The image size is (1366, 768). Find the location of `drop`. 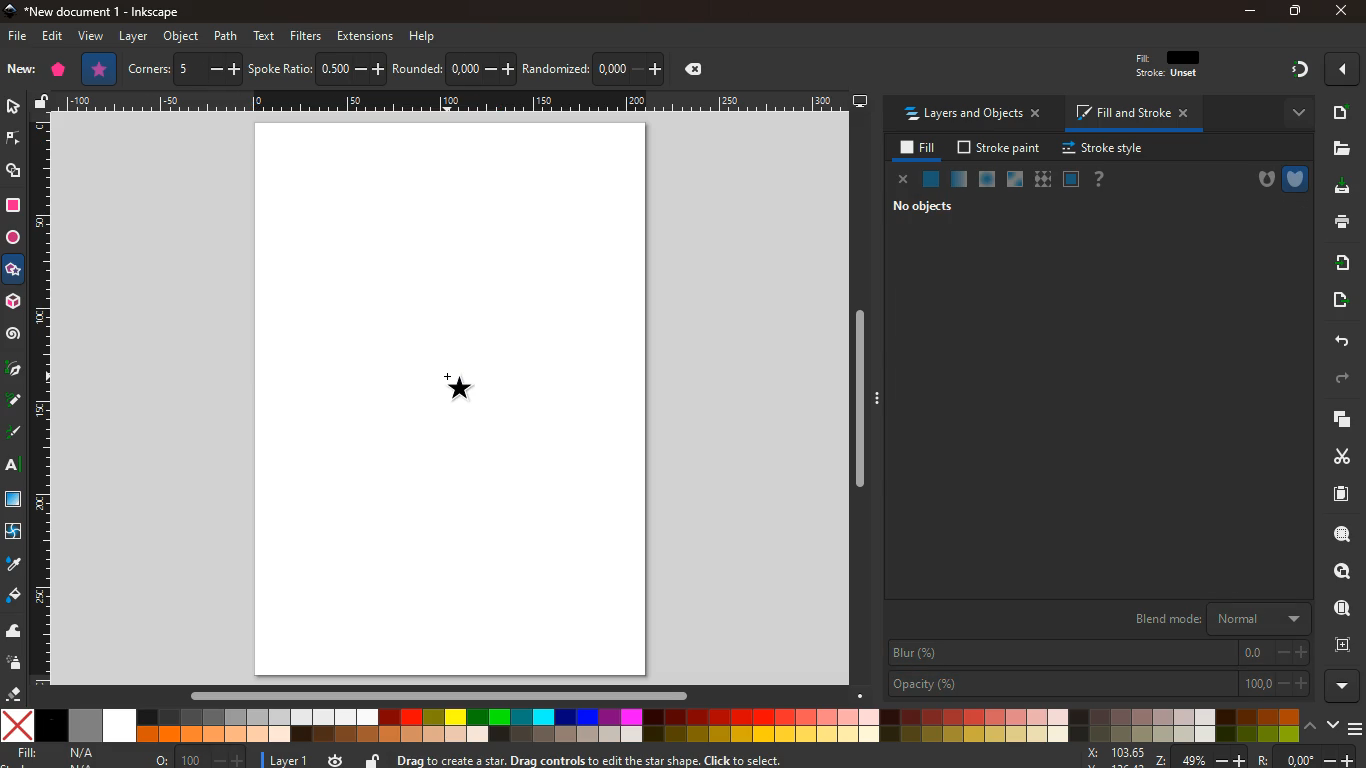

drop is located at coordinates (14, 564).